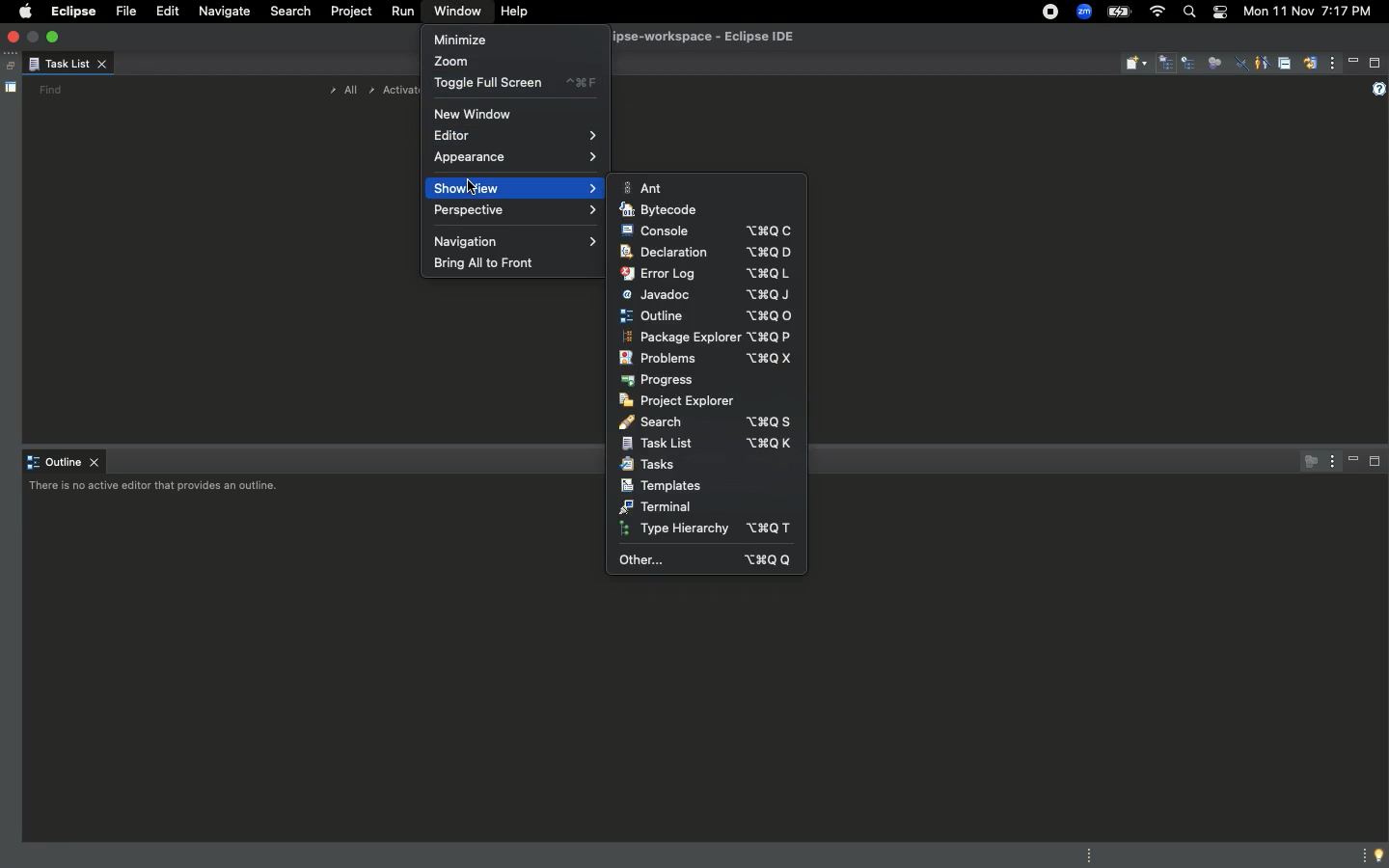 This screenshot has width=1389, height=868. What do you see at coordinates (705, 293) in the screenshot?
I see `Javadoc` at bounding box center [705, 293].